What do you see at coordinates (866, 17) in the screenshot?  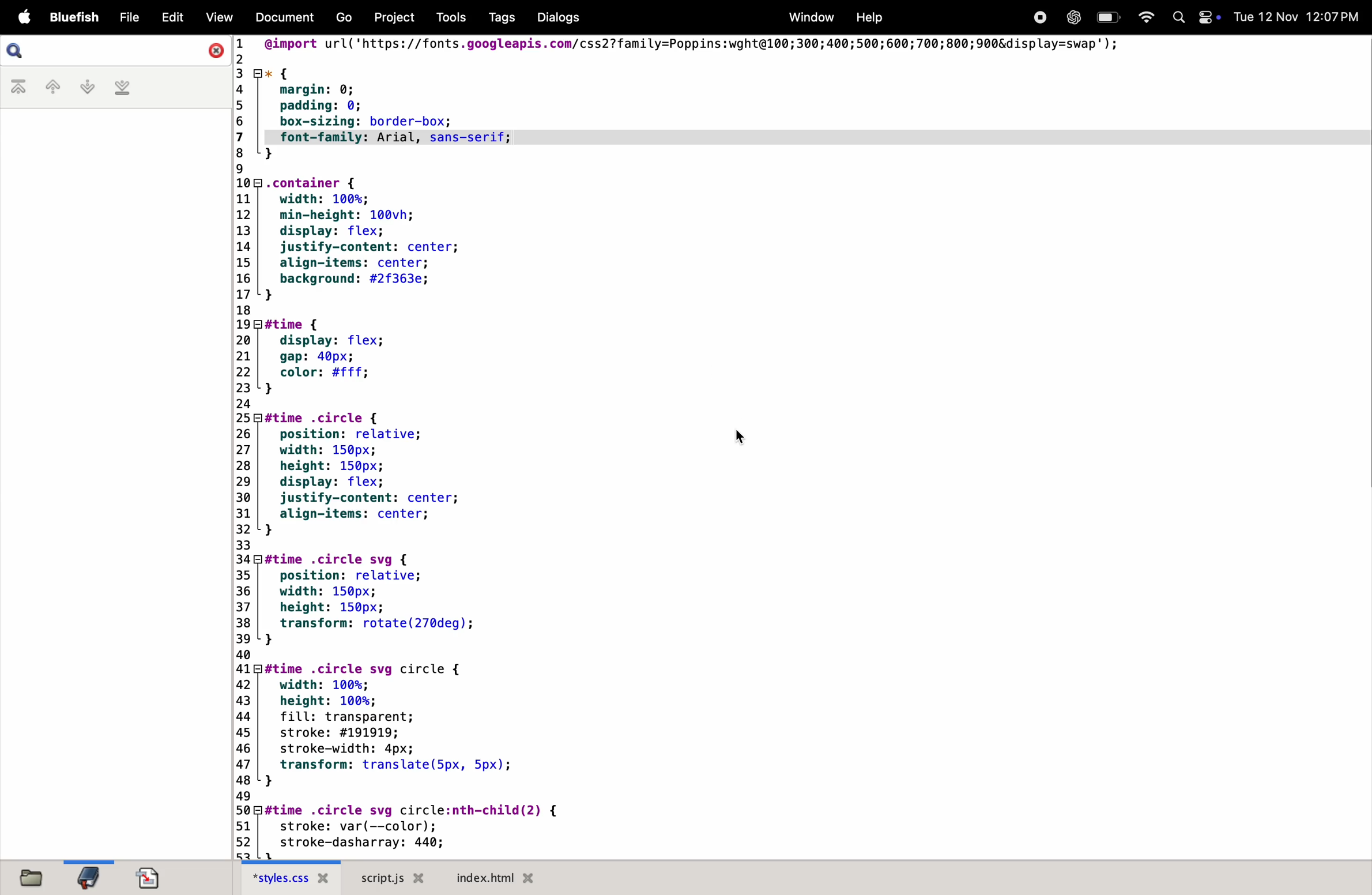 I see `help` at bounding box center [866, 17].